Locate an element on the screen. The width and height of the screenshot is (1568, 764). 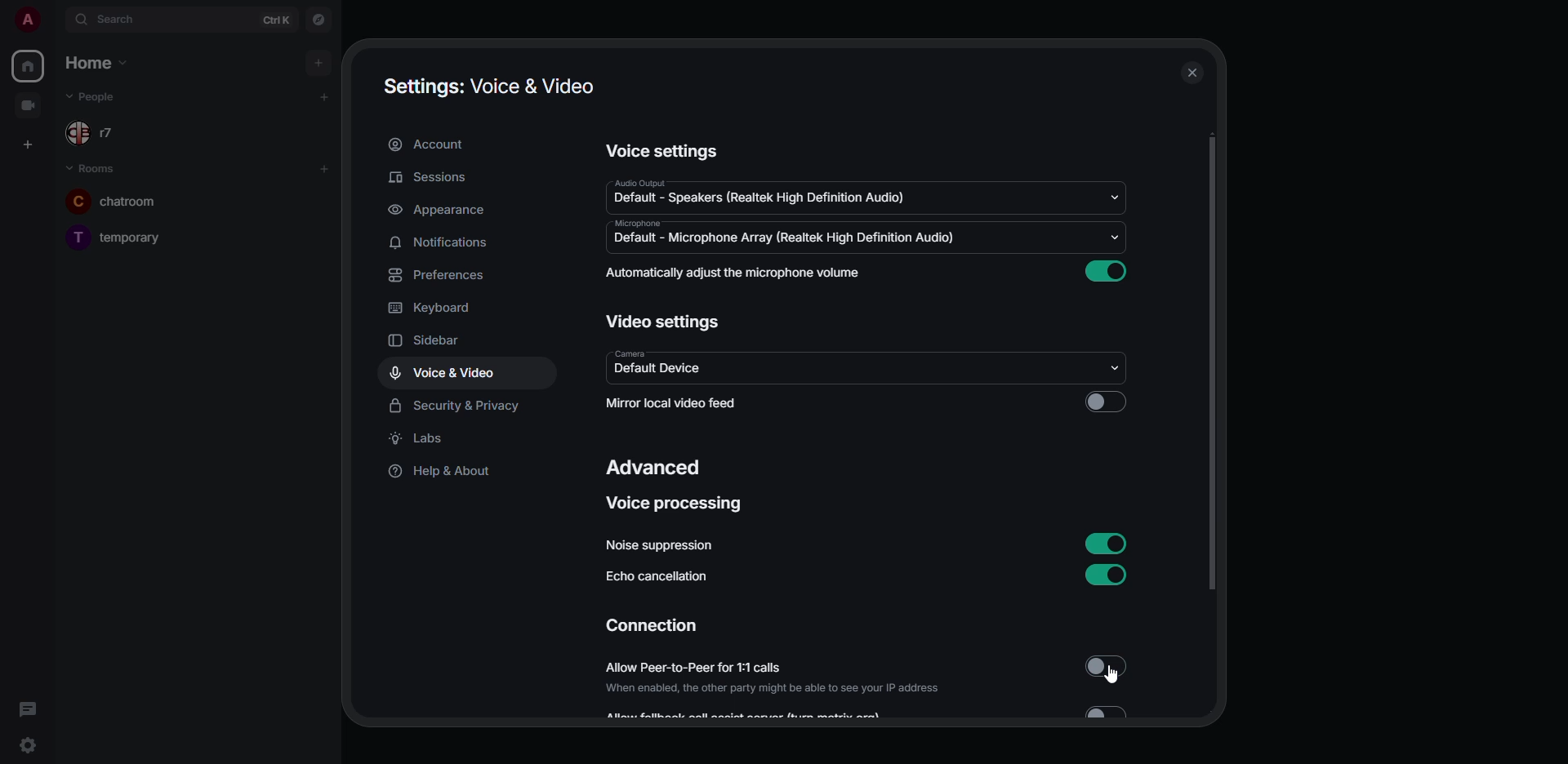
voice settings is located at coordinates (661, 151).